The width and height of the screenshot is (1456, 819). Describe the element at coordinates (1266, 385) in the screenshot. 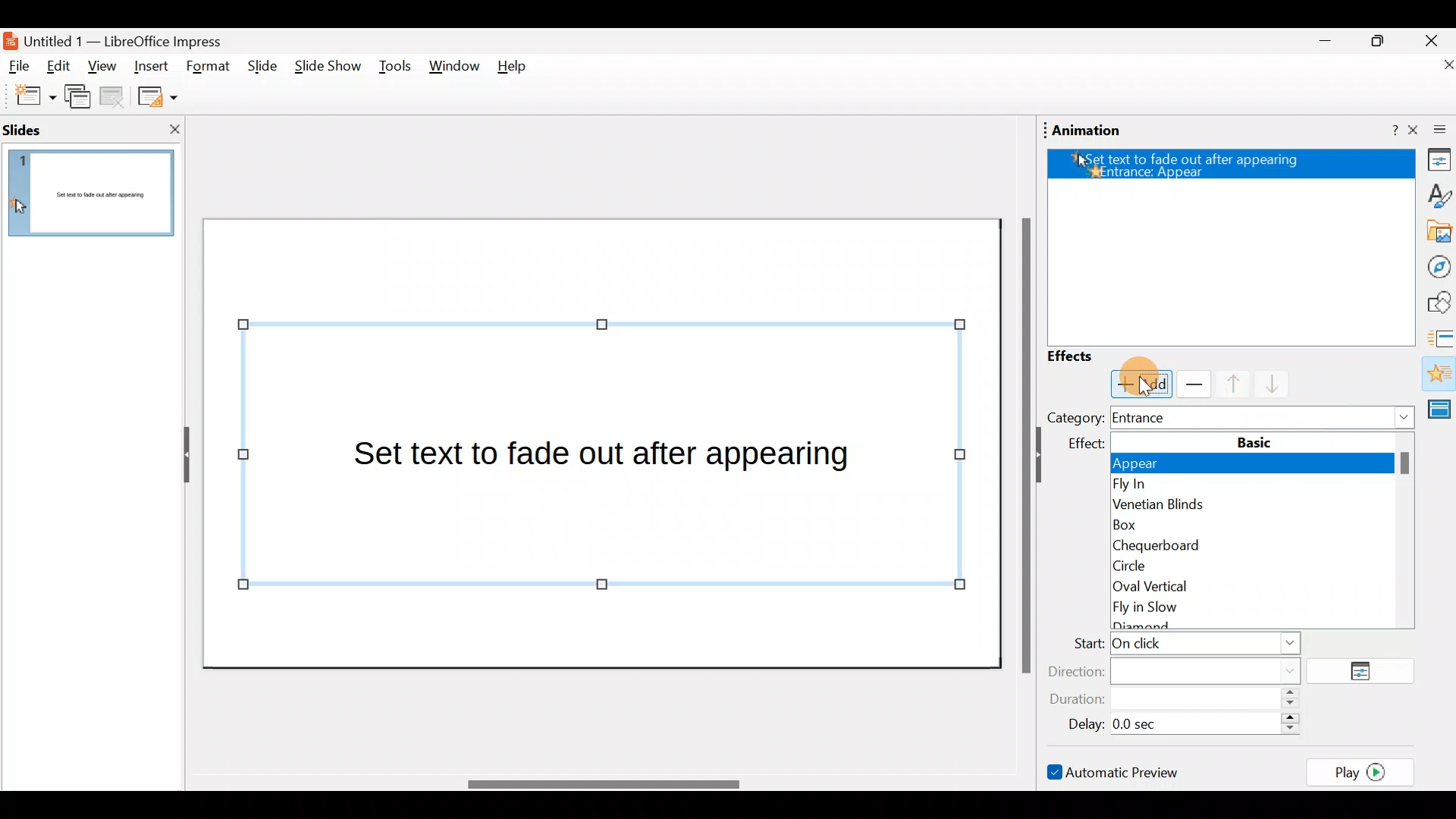

I see `Move down` at that location.